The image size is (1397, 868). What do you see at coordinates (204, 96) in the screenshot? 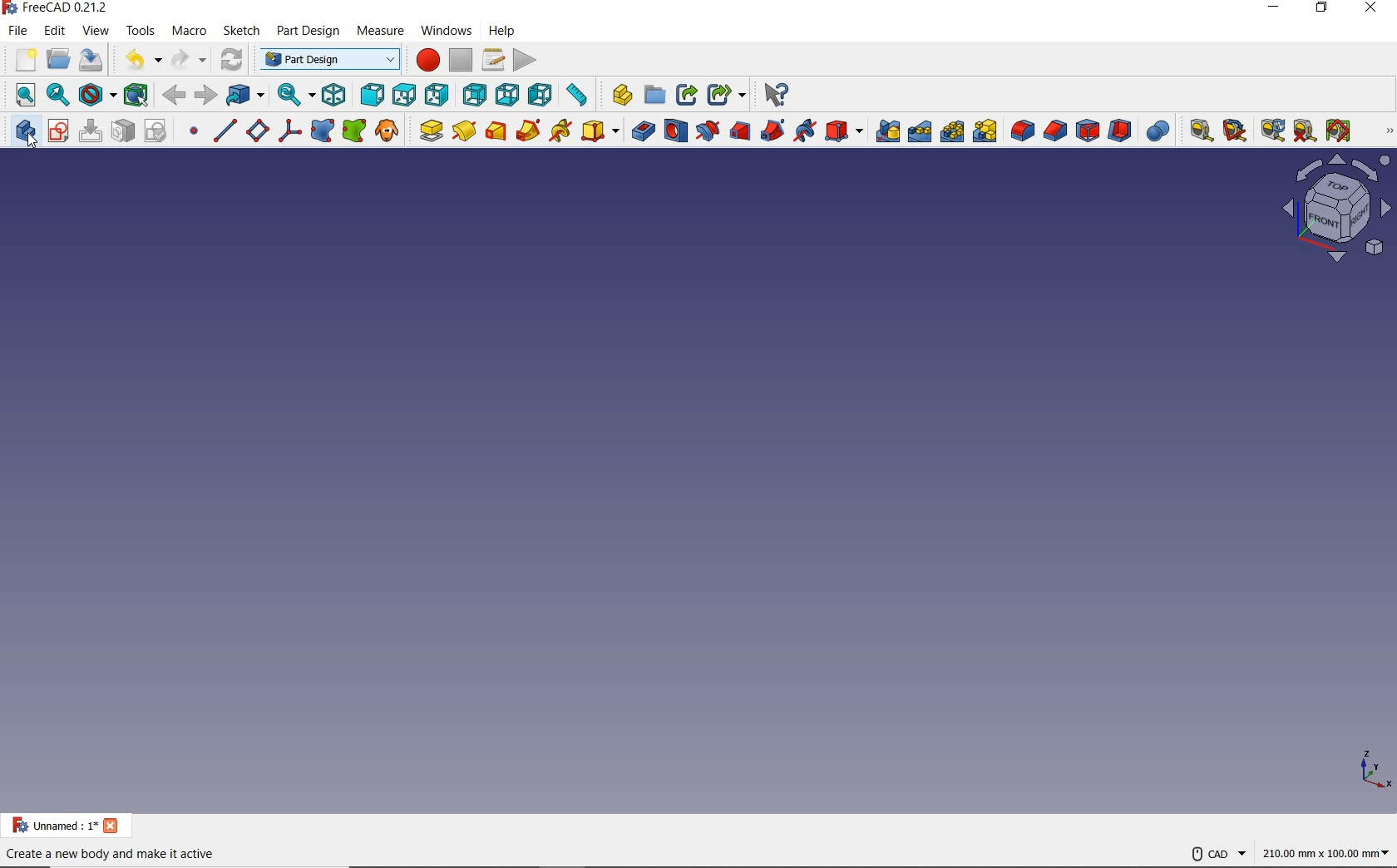
I see `forward` at bounding box center [204, 96].